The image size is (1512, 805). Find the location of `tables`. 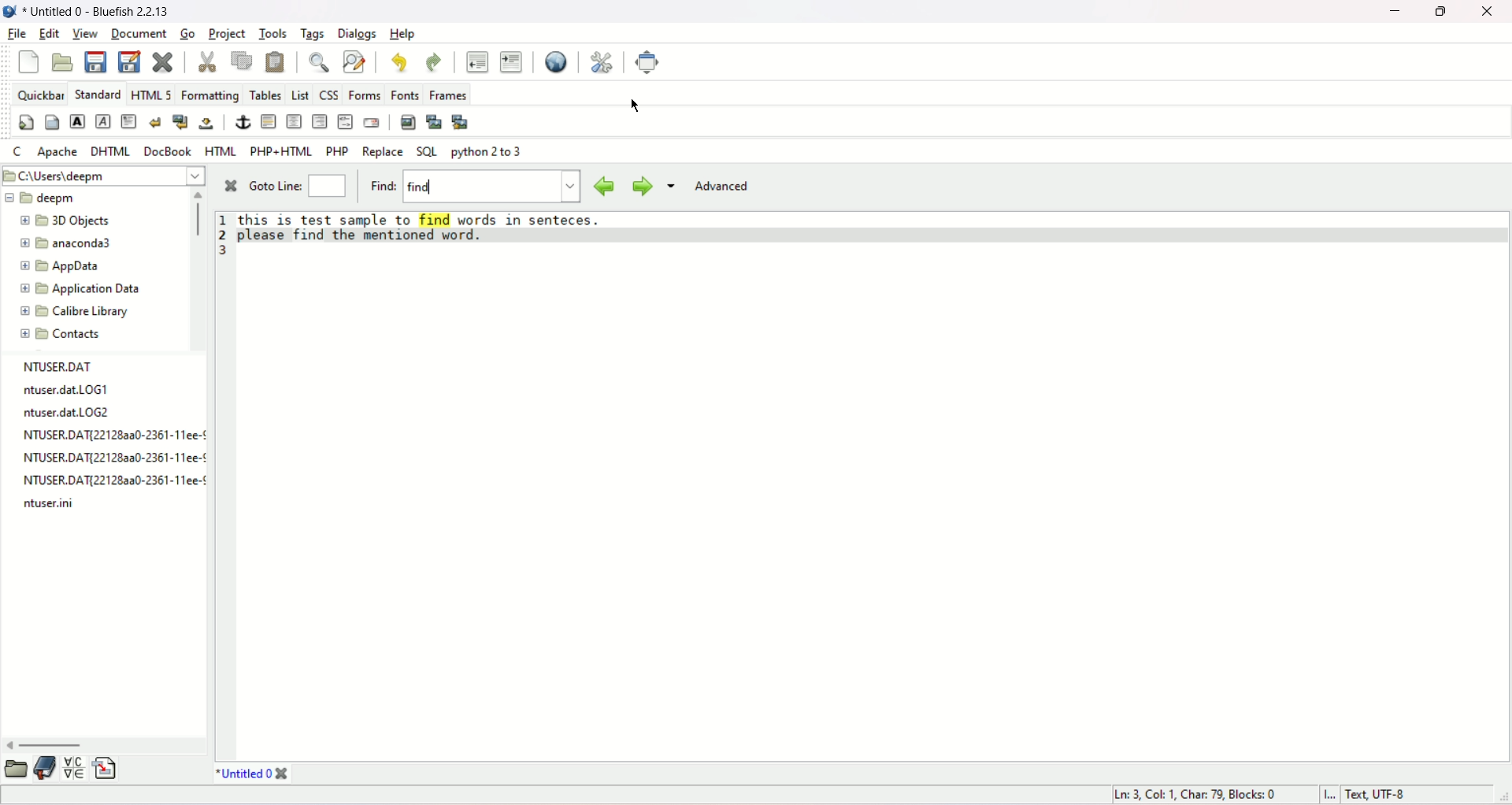

tables is located at coordinates (266, 93).